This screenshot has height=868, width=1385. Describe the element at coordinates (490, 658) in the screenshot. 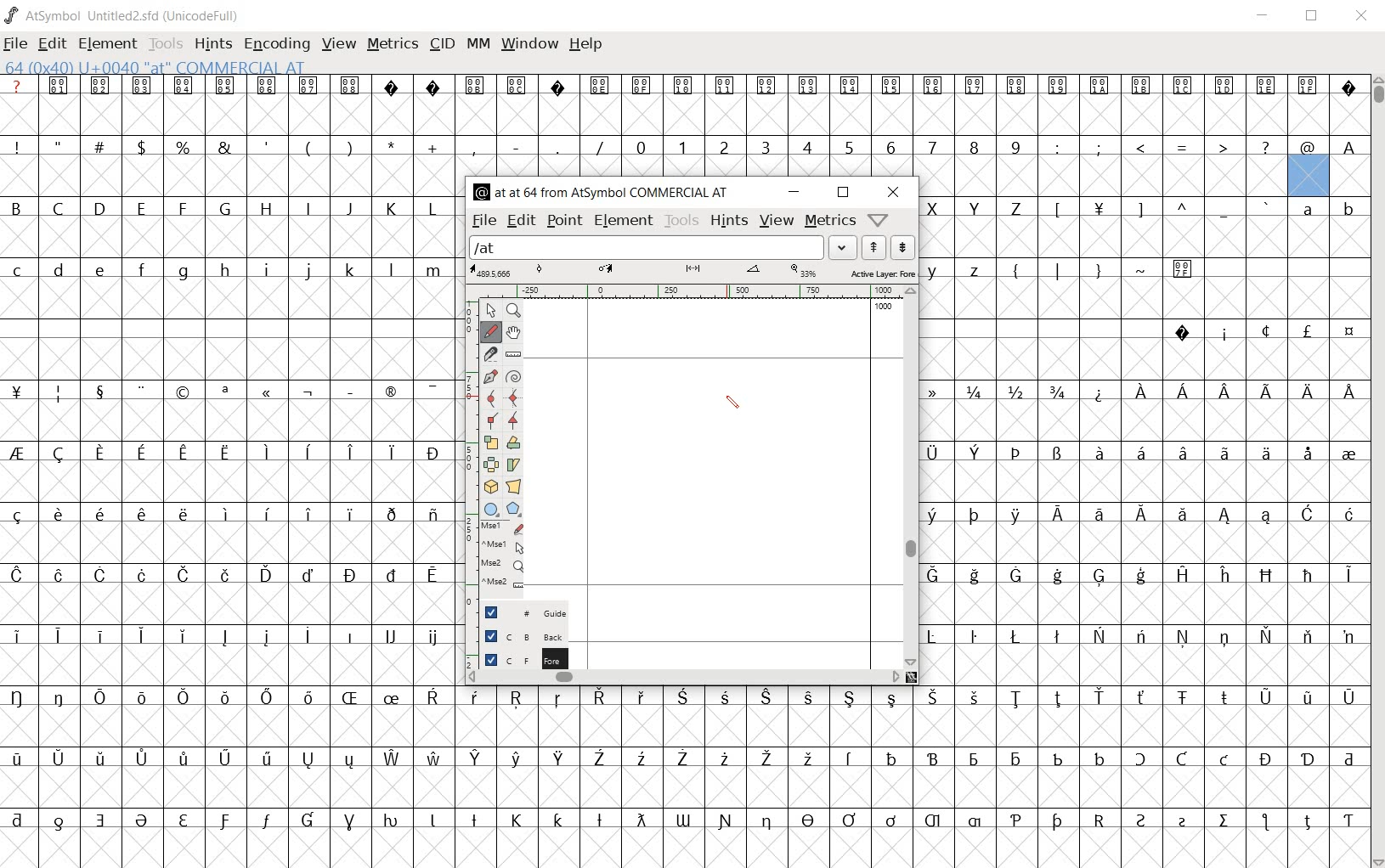

I see `checkbox` at that location.